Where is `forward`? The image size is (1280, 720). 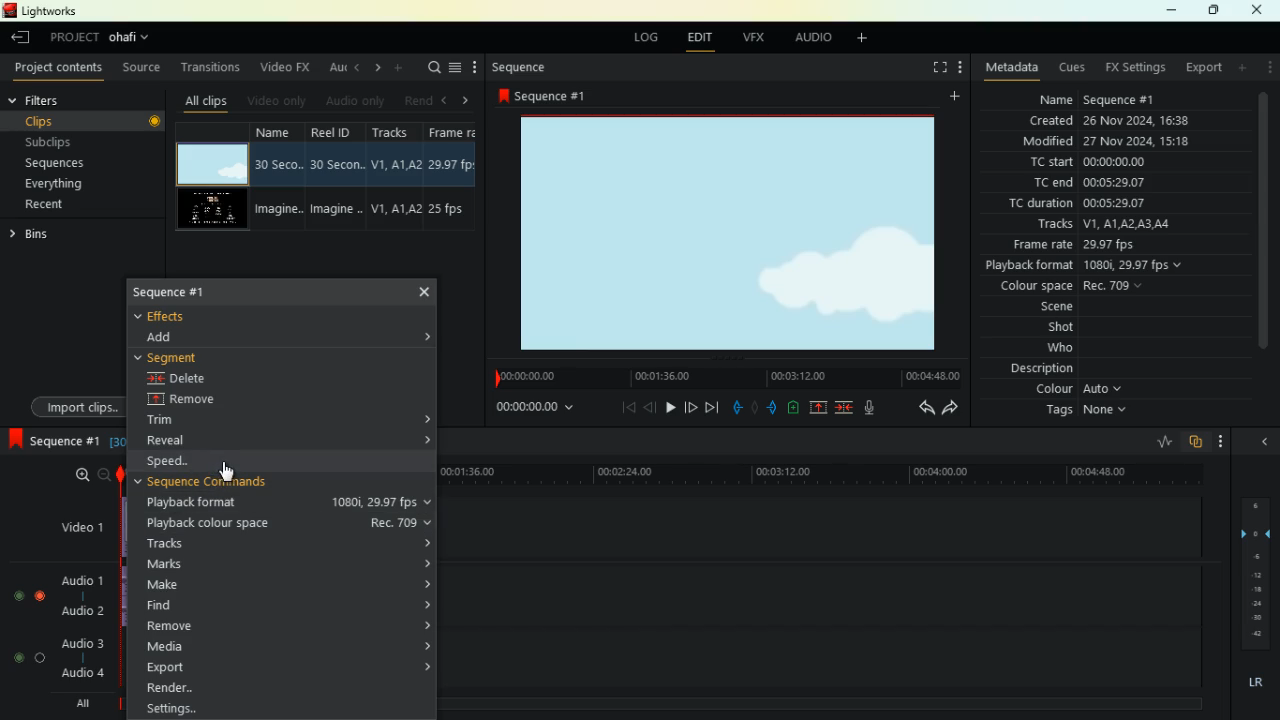
forward is located at coordinates (713, 407).